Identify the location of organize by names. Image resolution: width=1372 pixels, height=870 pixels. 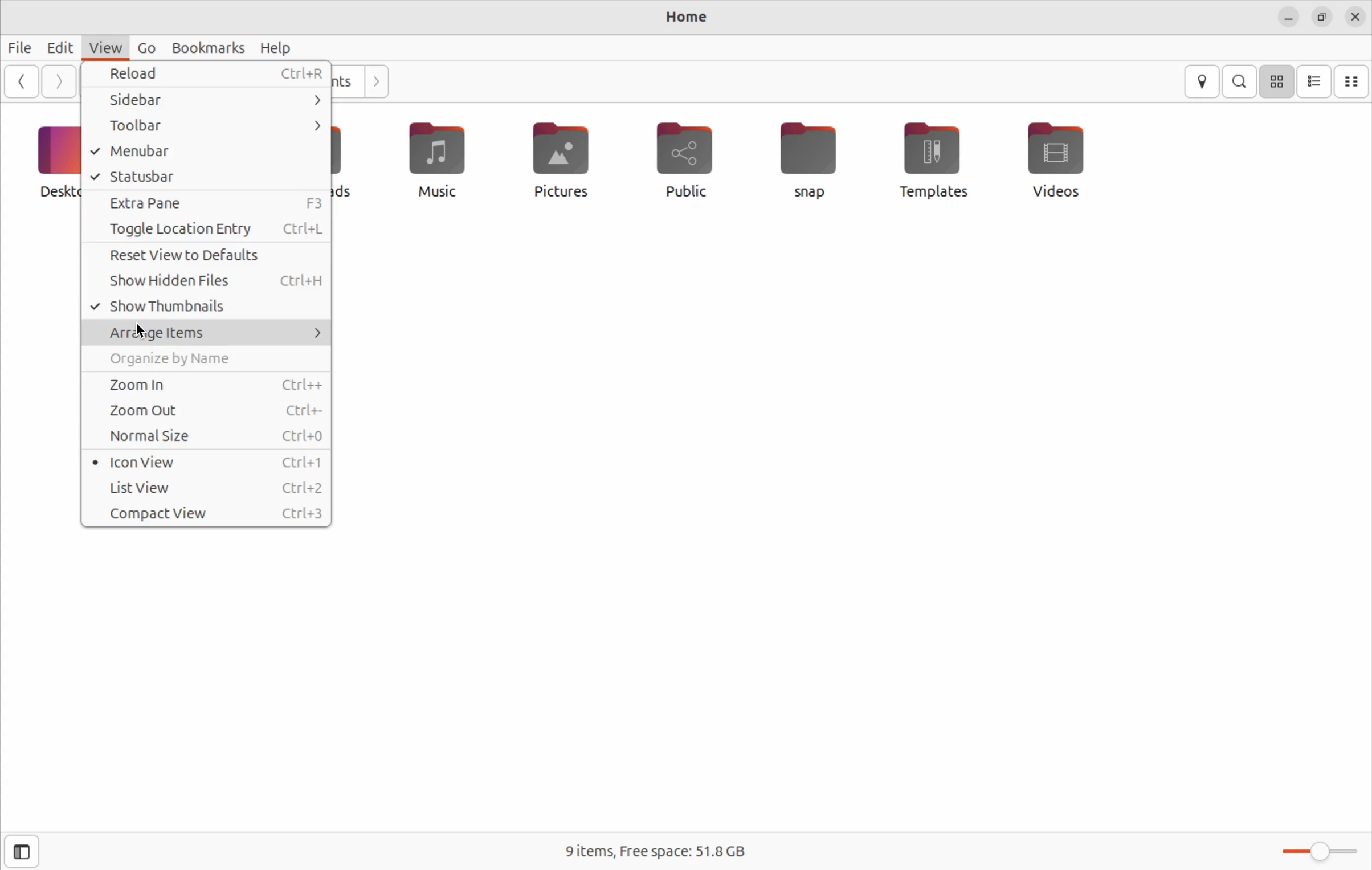
(208, 361).